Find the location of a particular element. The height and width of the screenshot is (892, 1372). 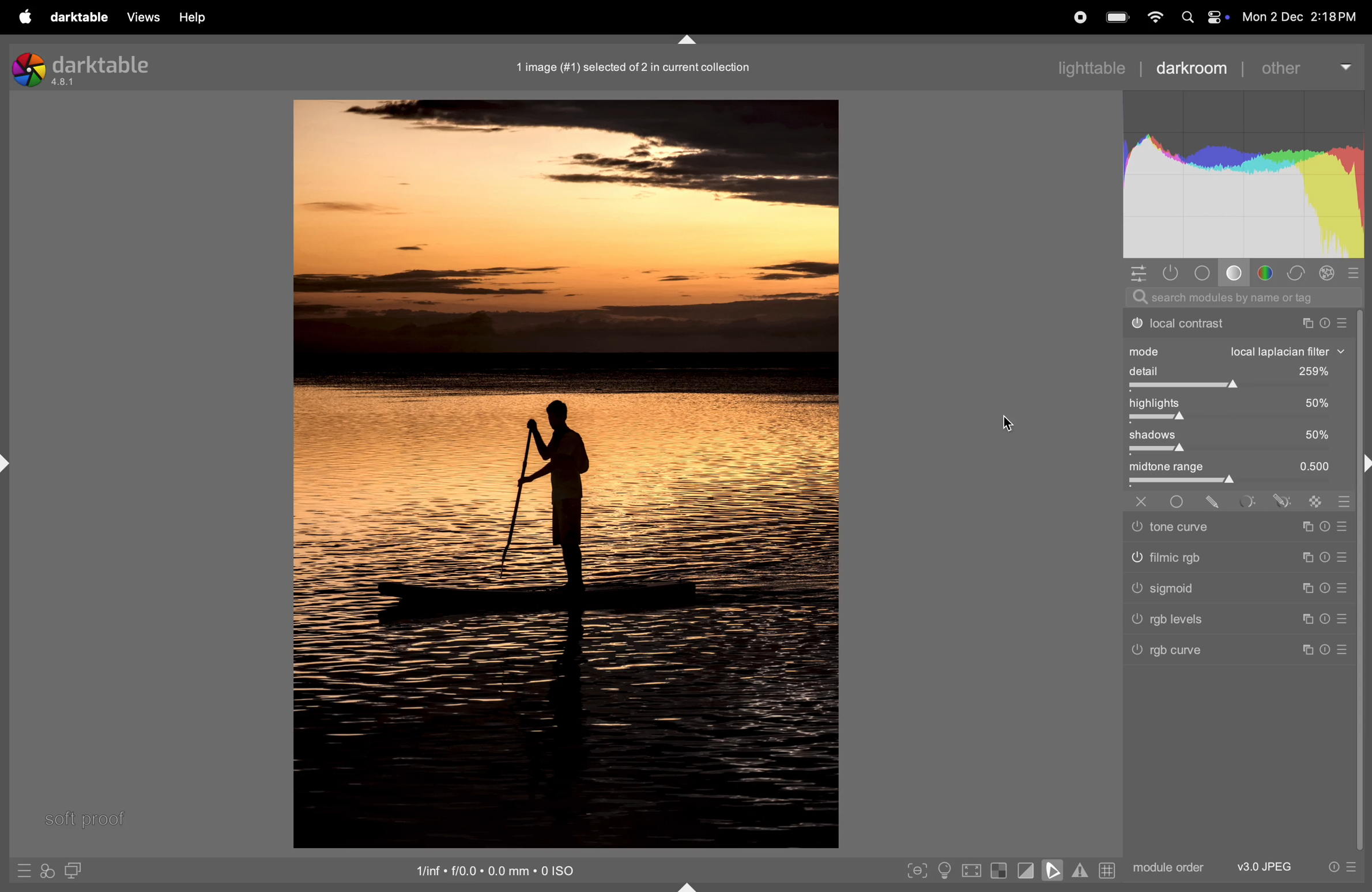

record is located at coordinates (1083, 18).